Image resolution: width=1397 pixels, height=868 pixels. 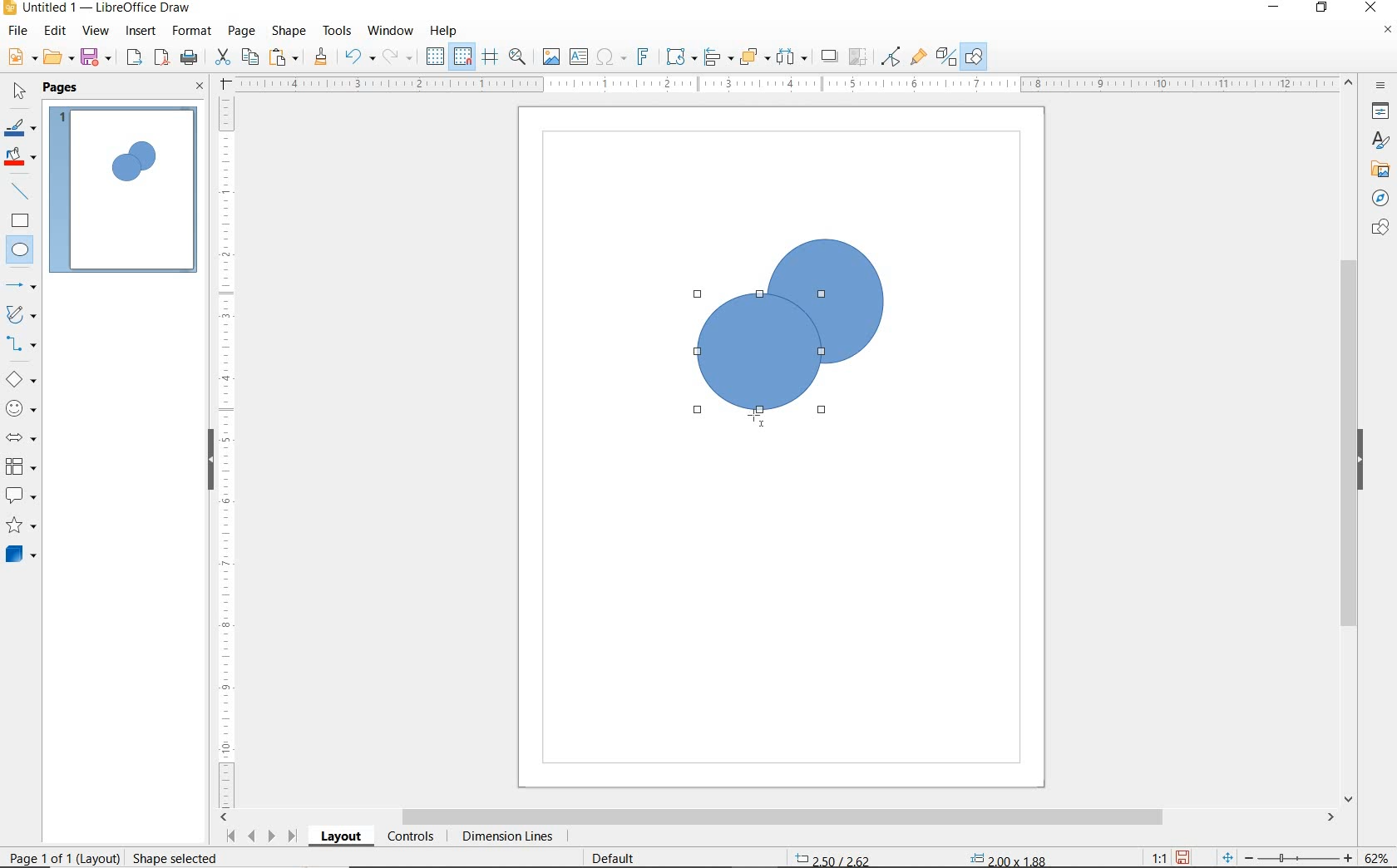 What do you see at coordinates (974, 57) in the screenshot?
I see `SHOW DRAW FUNCTONS` at bounding box center [974, 57].